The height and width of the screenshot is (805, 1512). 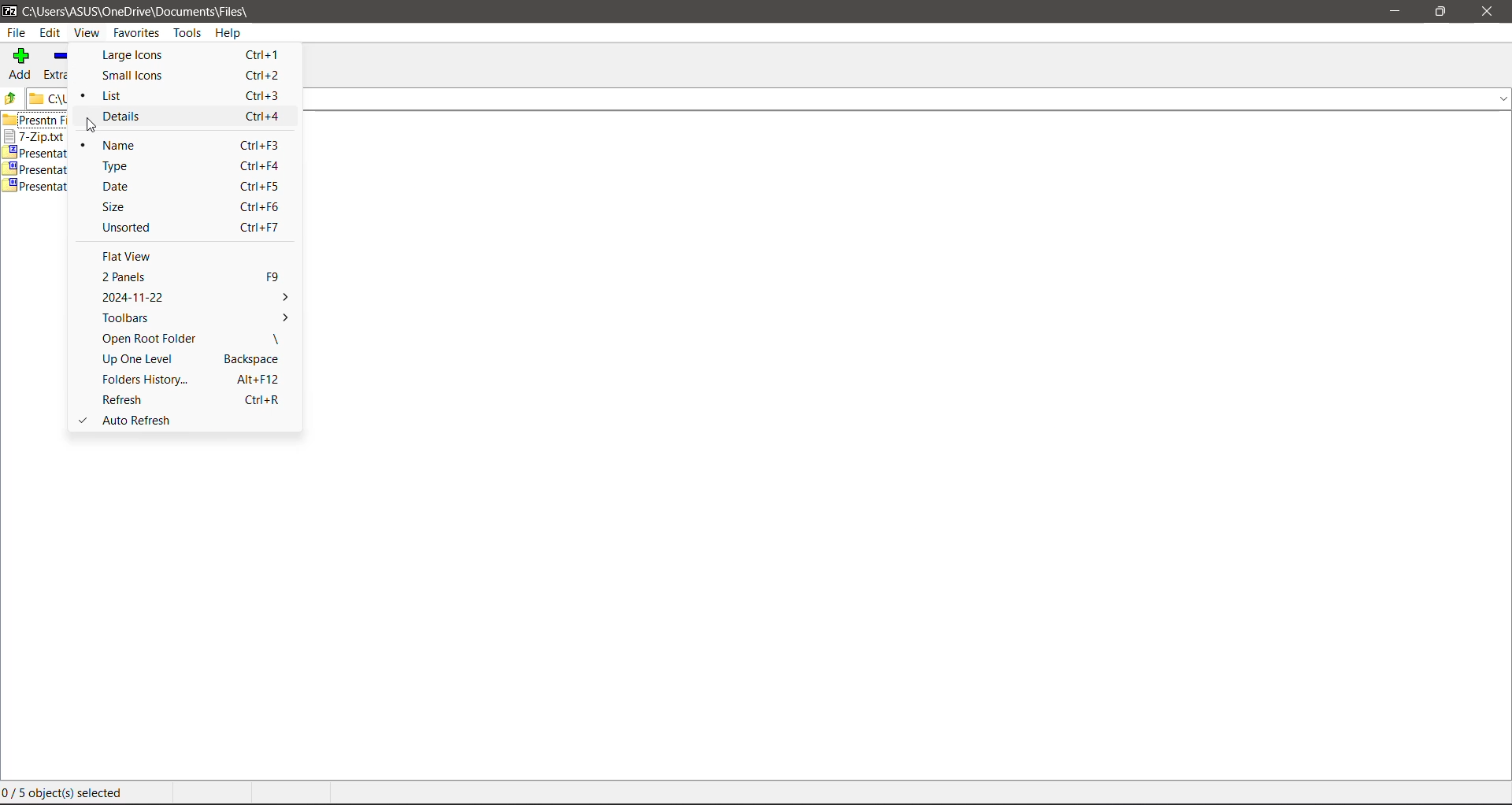 What do you see at coordinates (136, 33) in the screenshot?
I see `Favorites` at bounding box center [136, 33].